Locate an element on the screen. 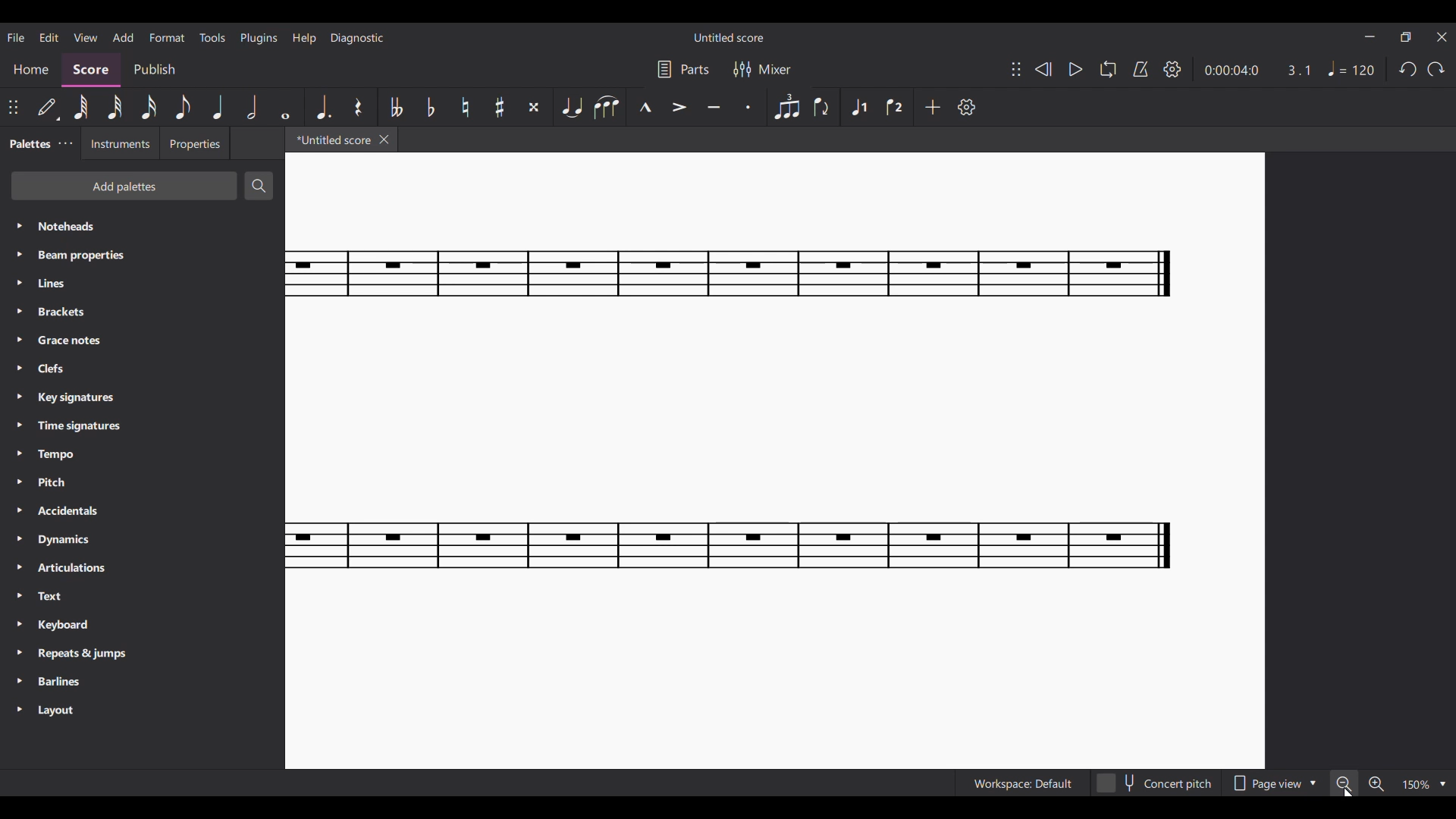  Accidentals is located at coordinates (142, 510).